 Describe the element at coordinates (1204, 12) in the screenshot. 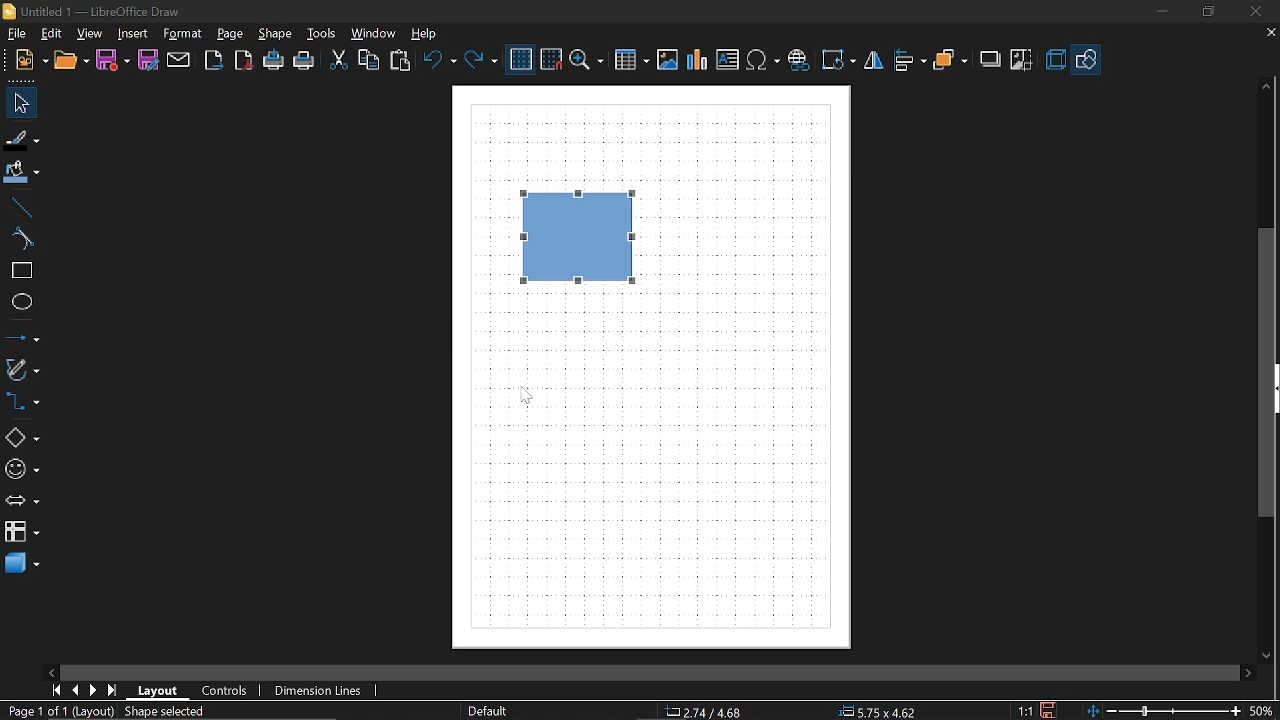

I see `Restore down` at that location.